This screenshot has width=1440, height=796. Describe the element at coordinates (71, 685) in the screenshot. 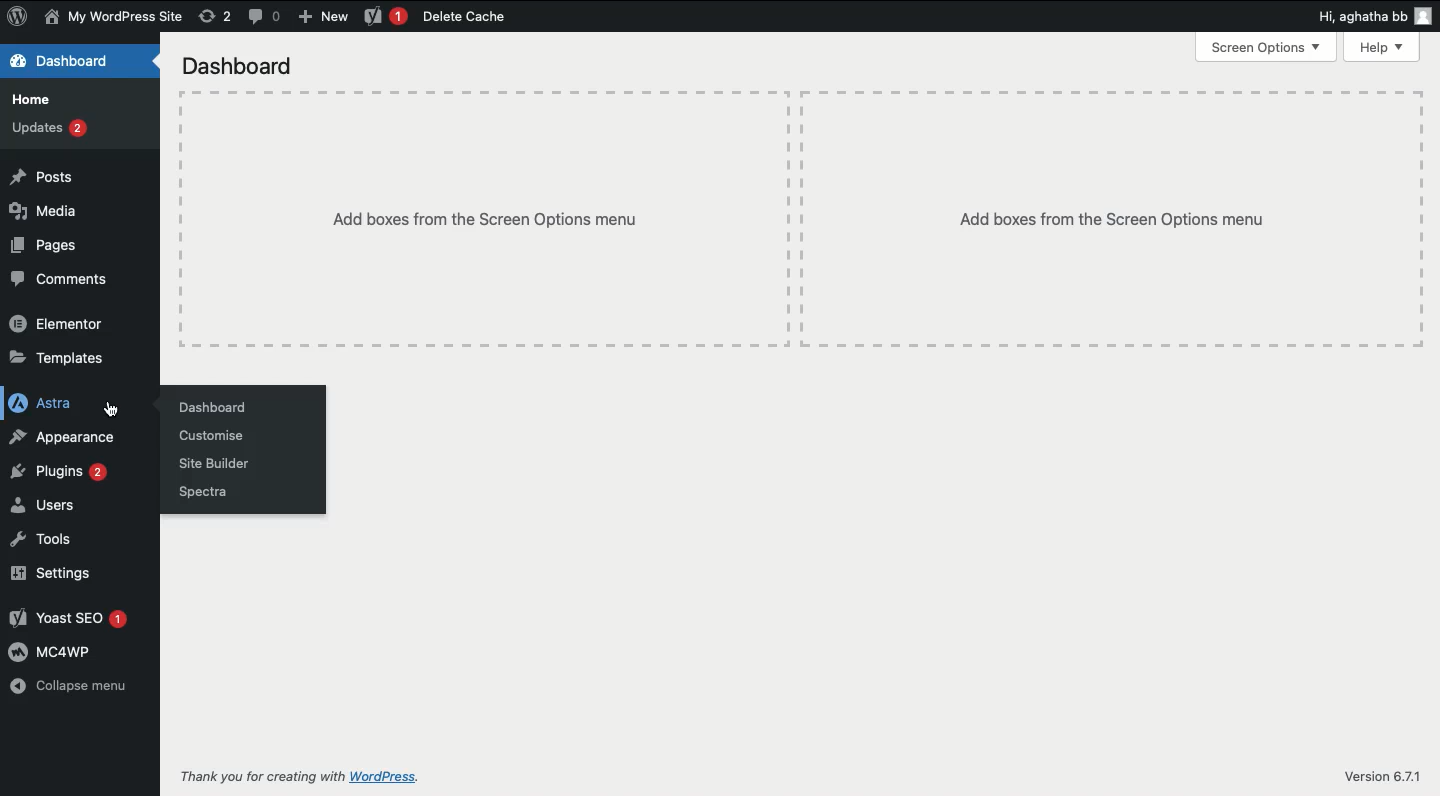

I see `Collapse menu` at that location.